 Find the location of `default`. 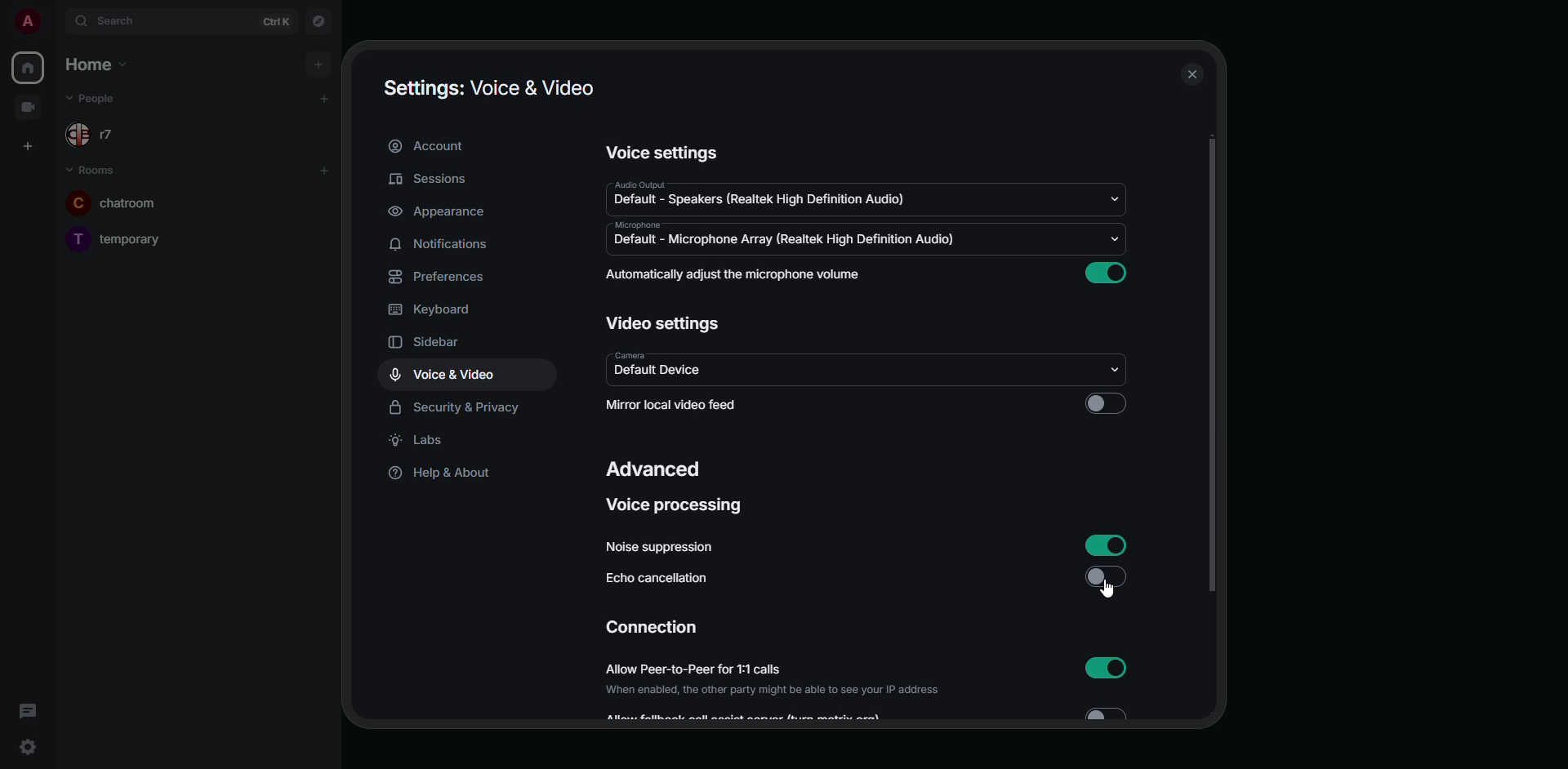

default is located at coordinates (761, 200).